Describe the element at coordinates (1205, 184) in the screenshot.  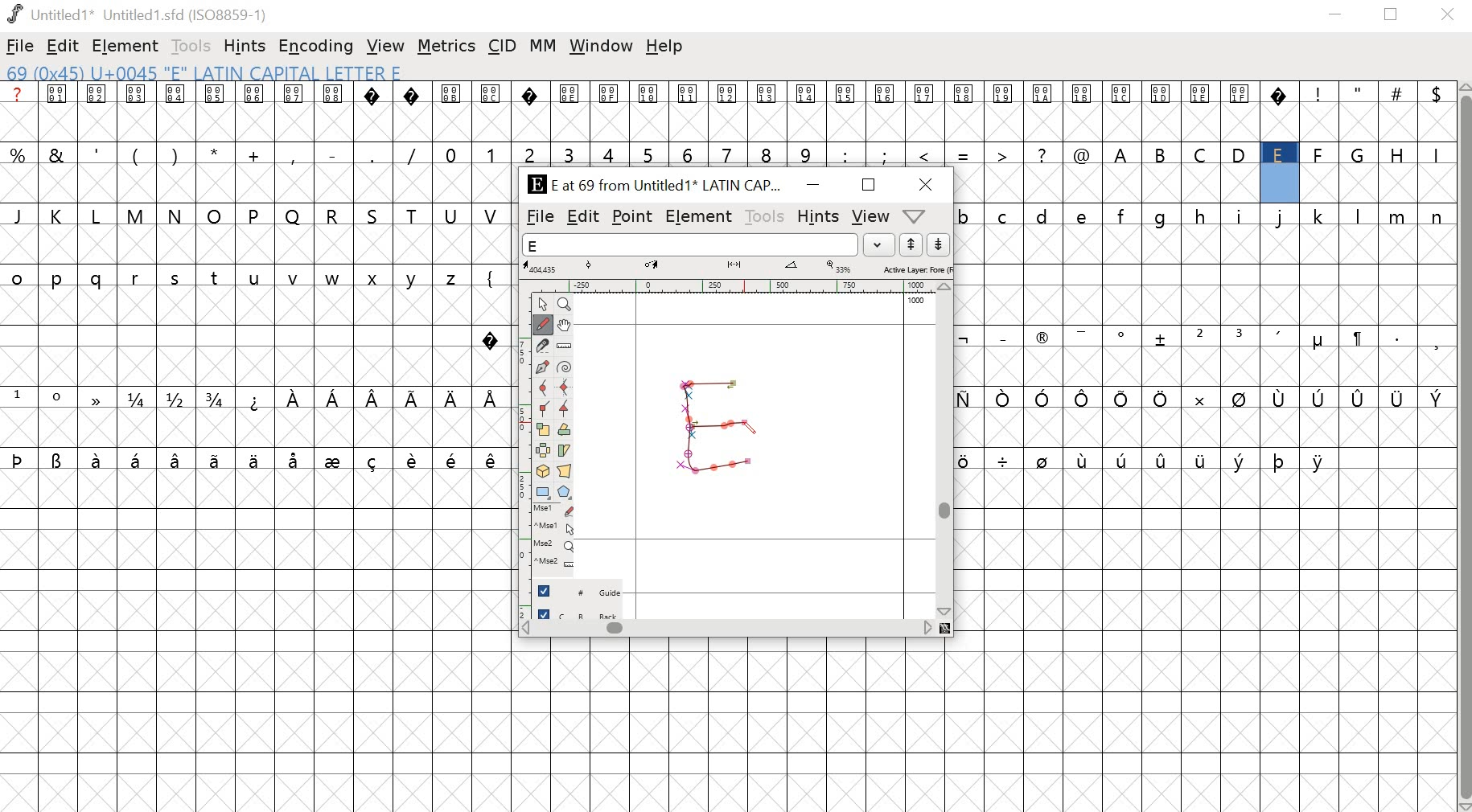
I see `empty cells` at that location.